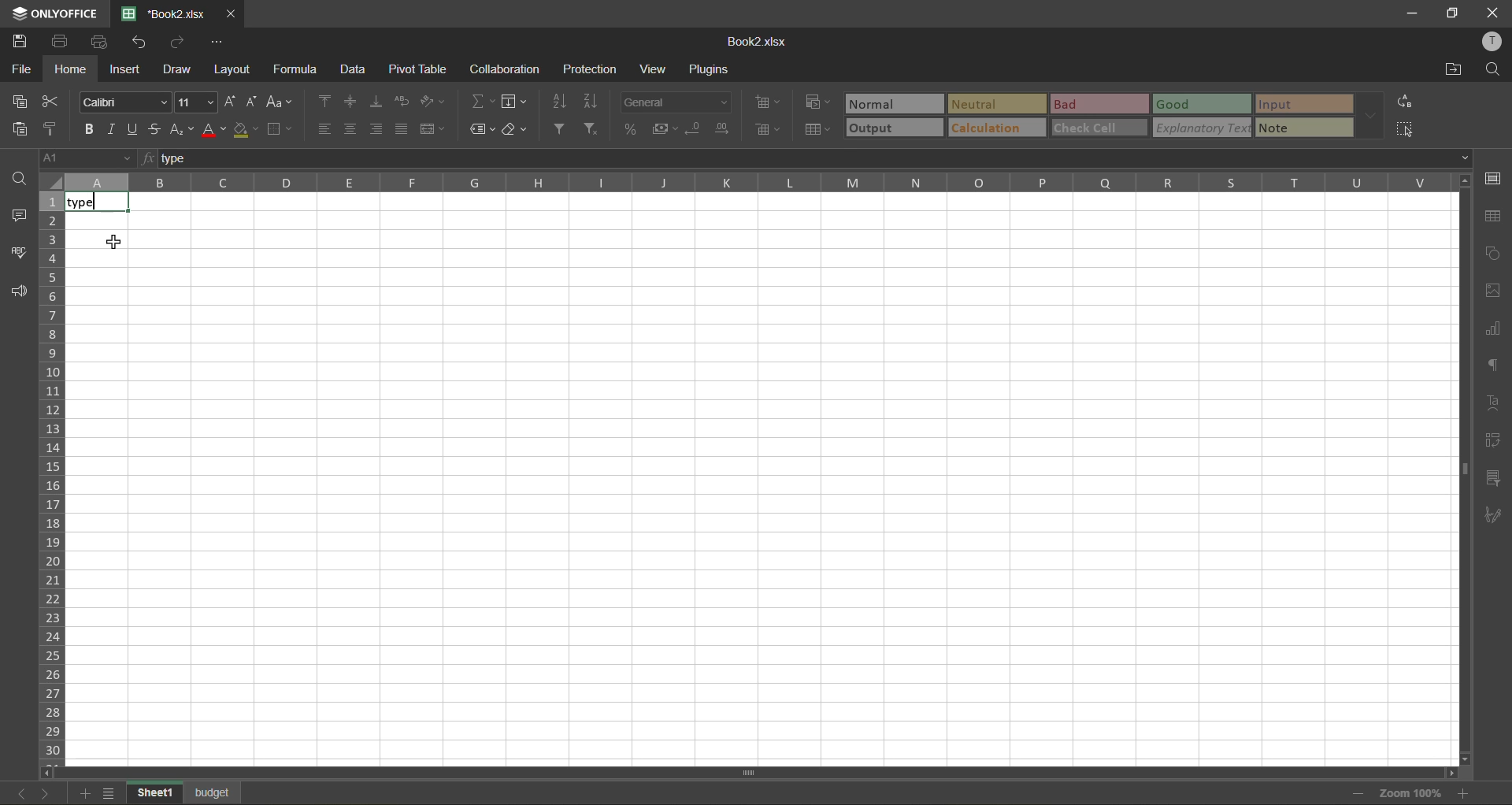  Describe the element at coordinates (818, 101) in the screenshot. I see `conditional formatting ` at that location.